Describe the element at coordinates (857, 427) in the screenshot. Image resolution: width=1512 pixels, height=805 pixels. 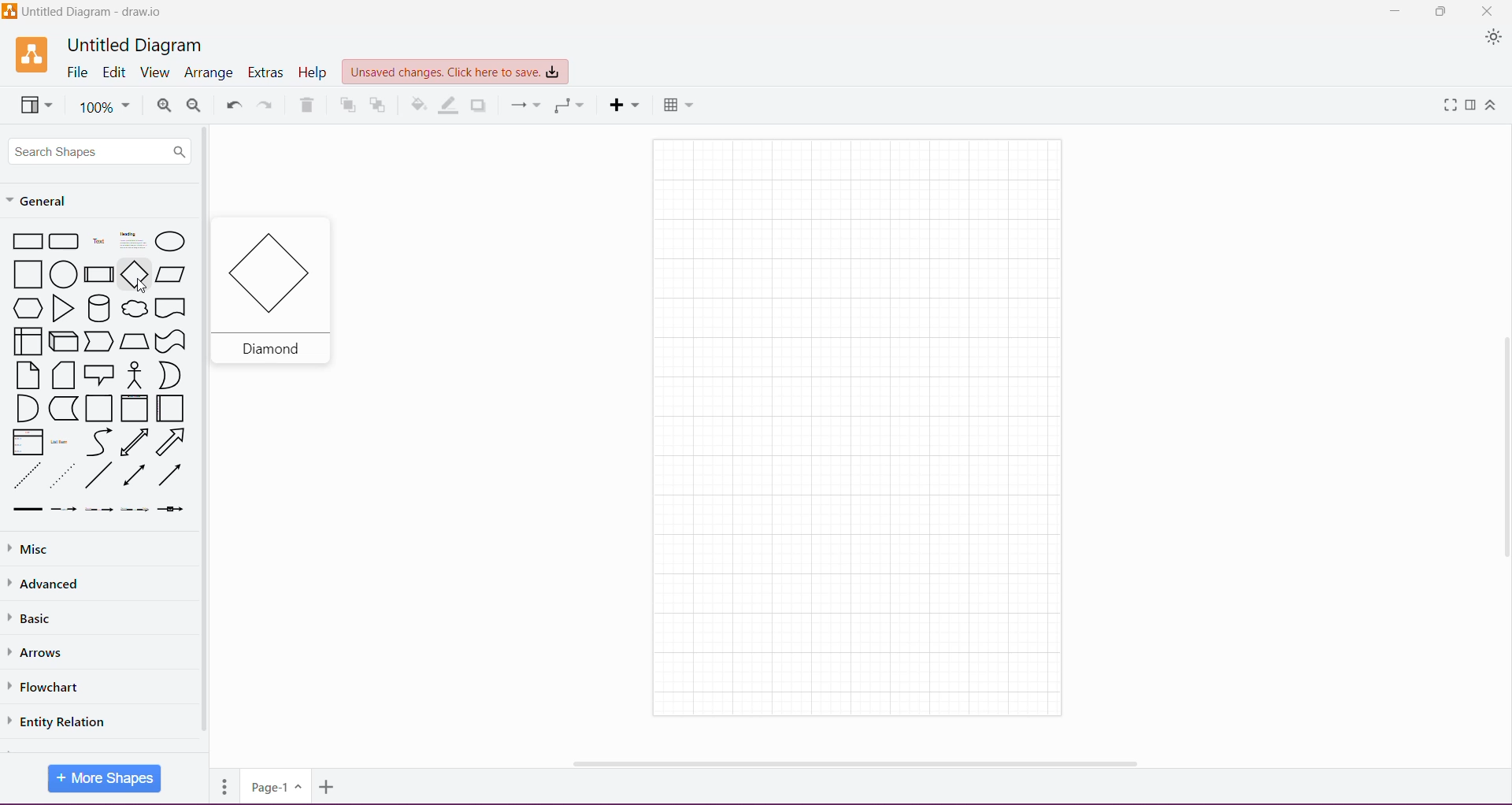
I see `Canvas` at that location.